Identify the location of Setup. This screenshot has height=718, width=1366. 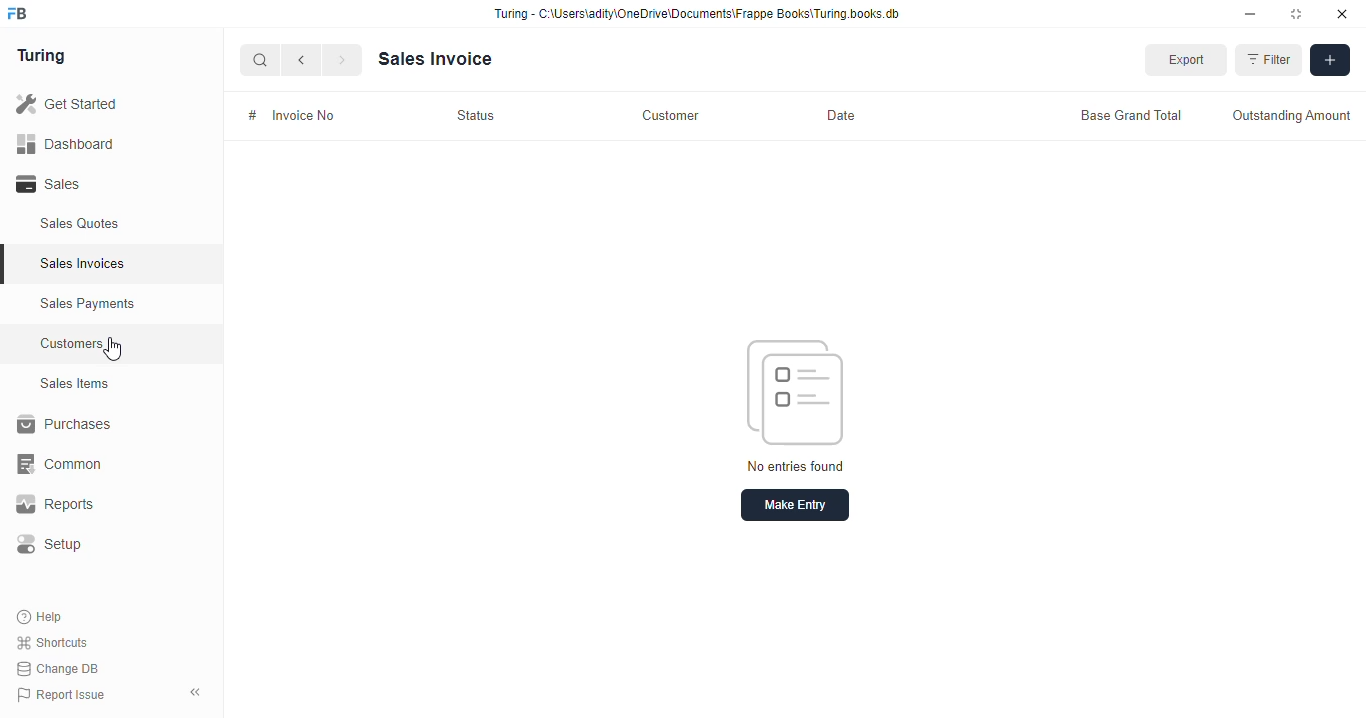
(101, 544).